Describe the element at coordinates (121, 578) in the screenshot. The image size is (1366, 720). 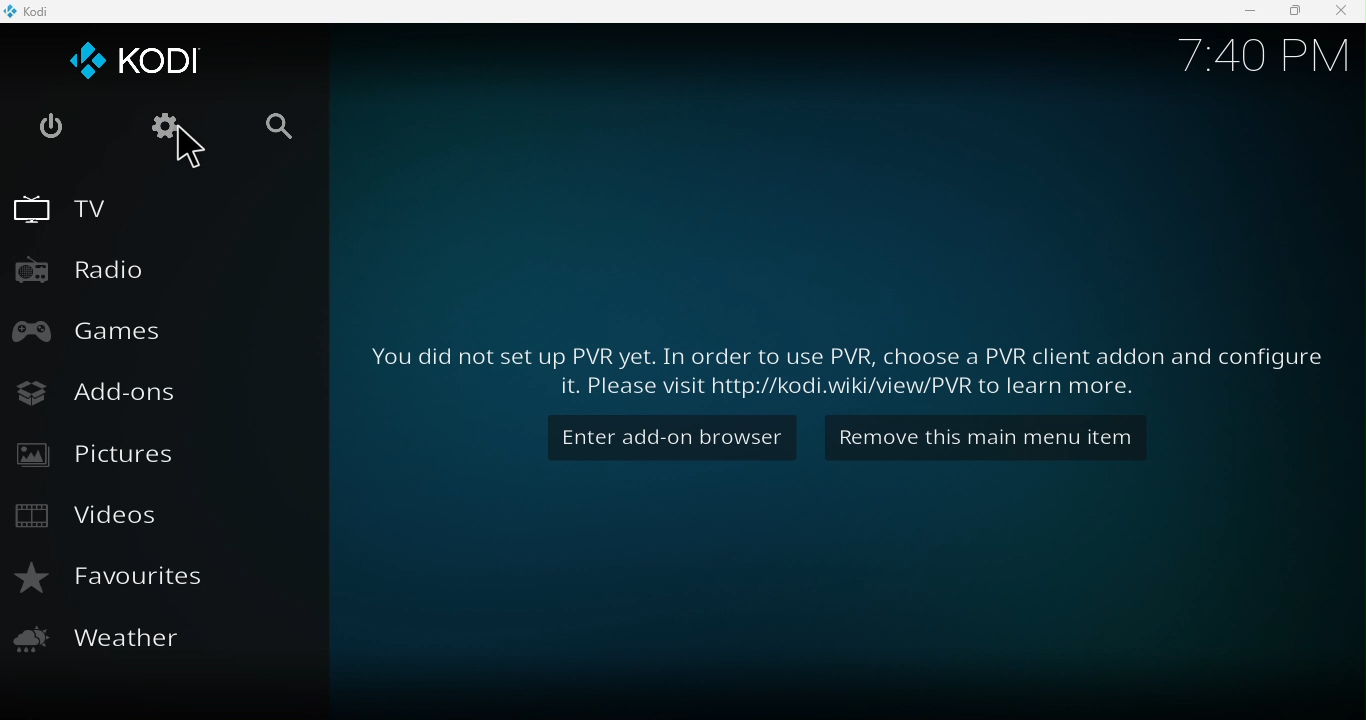
I see `Favourites` at that location.